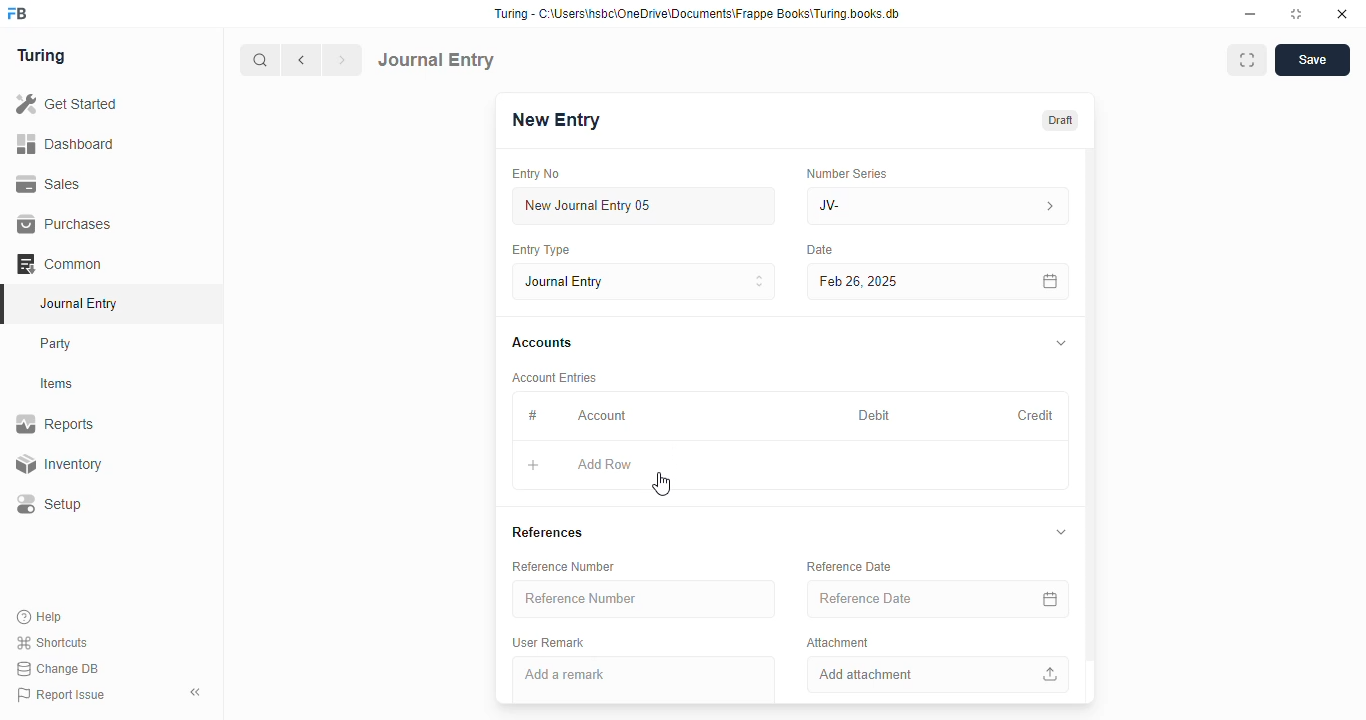 Image resolution: width=1366 pixels, height=720 pixels. What do you see at coordinates (64, 224) in the screenshot?
I see `purchases` at bounding box center [64, 224].